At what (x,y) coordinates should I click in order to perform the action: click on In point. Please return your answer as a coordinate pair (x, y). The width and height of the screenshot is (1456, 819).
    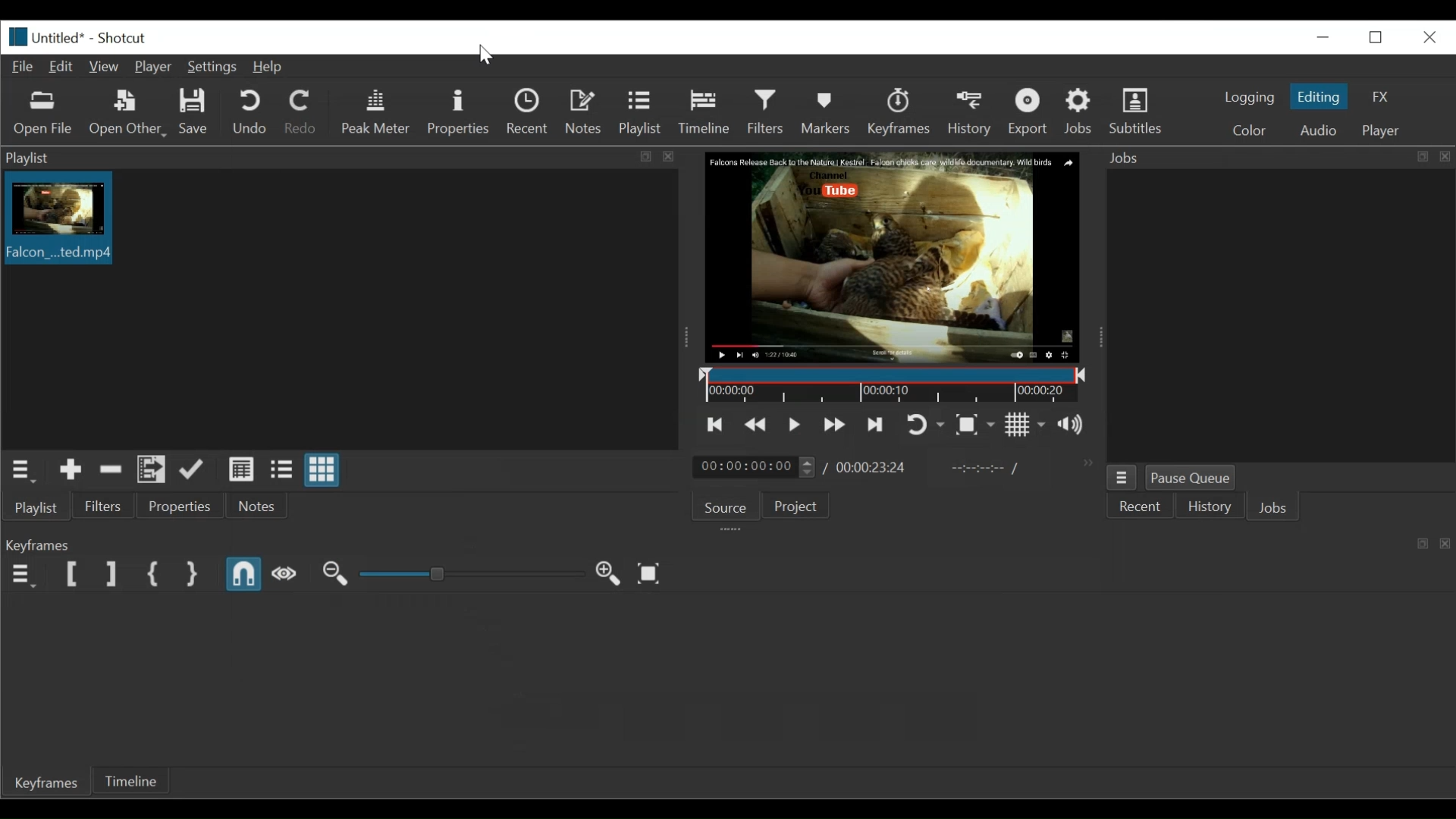
    Looking at the image, I should click on (977, 468).